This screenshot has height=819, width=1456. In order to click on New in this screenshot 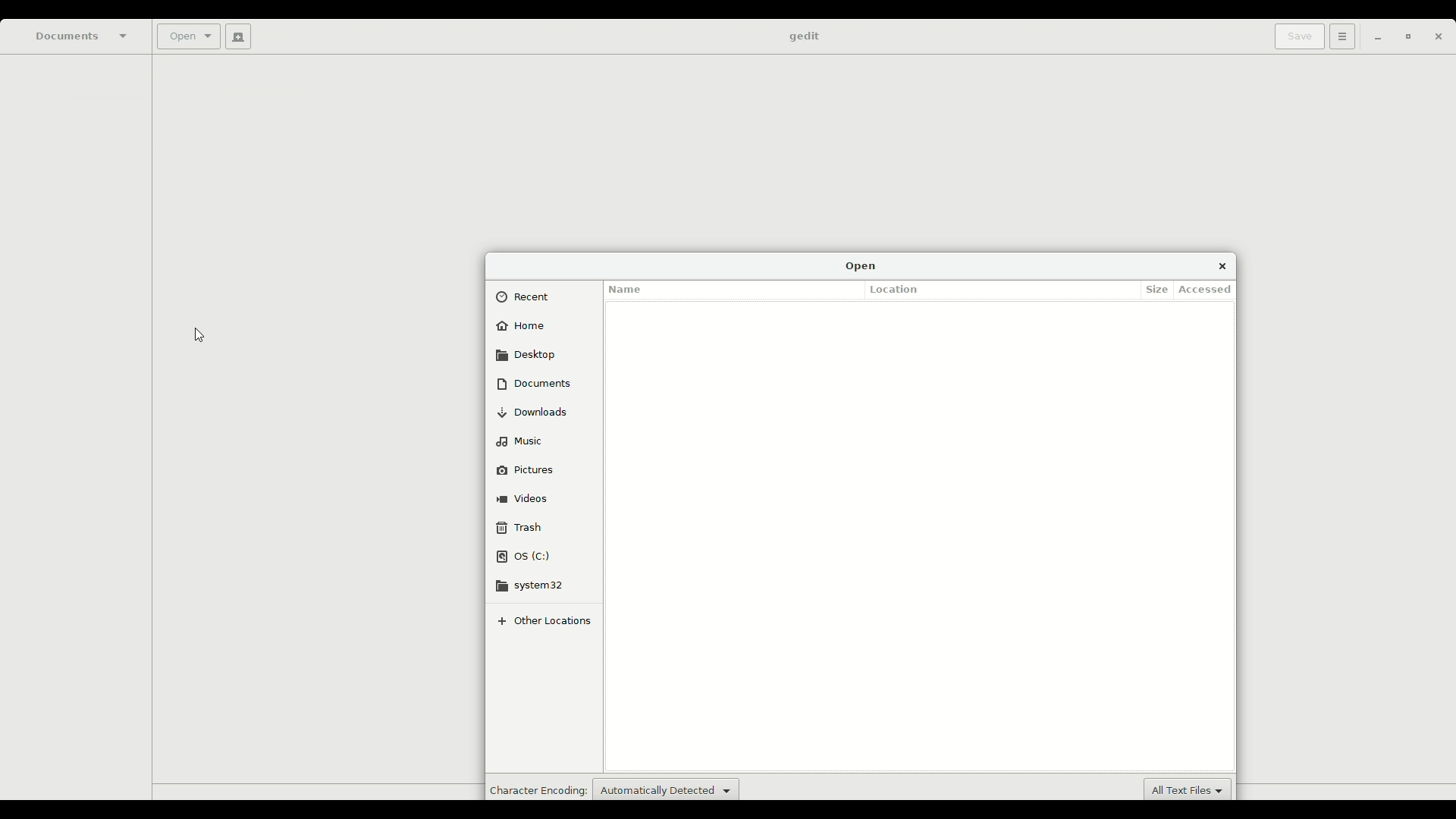, I will do `click(235, 36)`.